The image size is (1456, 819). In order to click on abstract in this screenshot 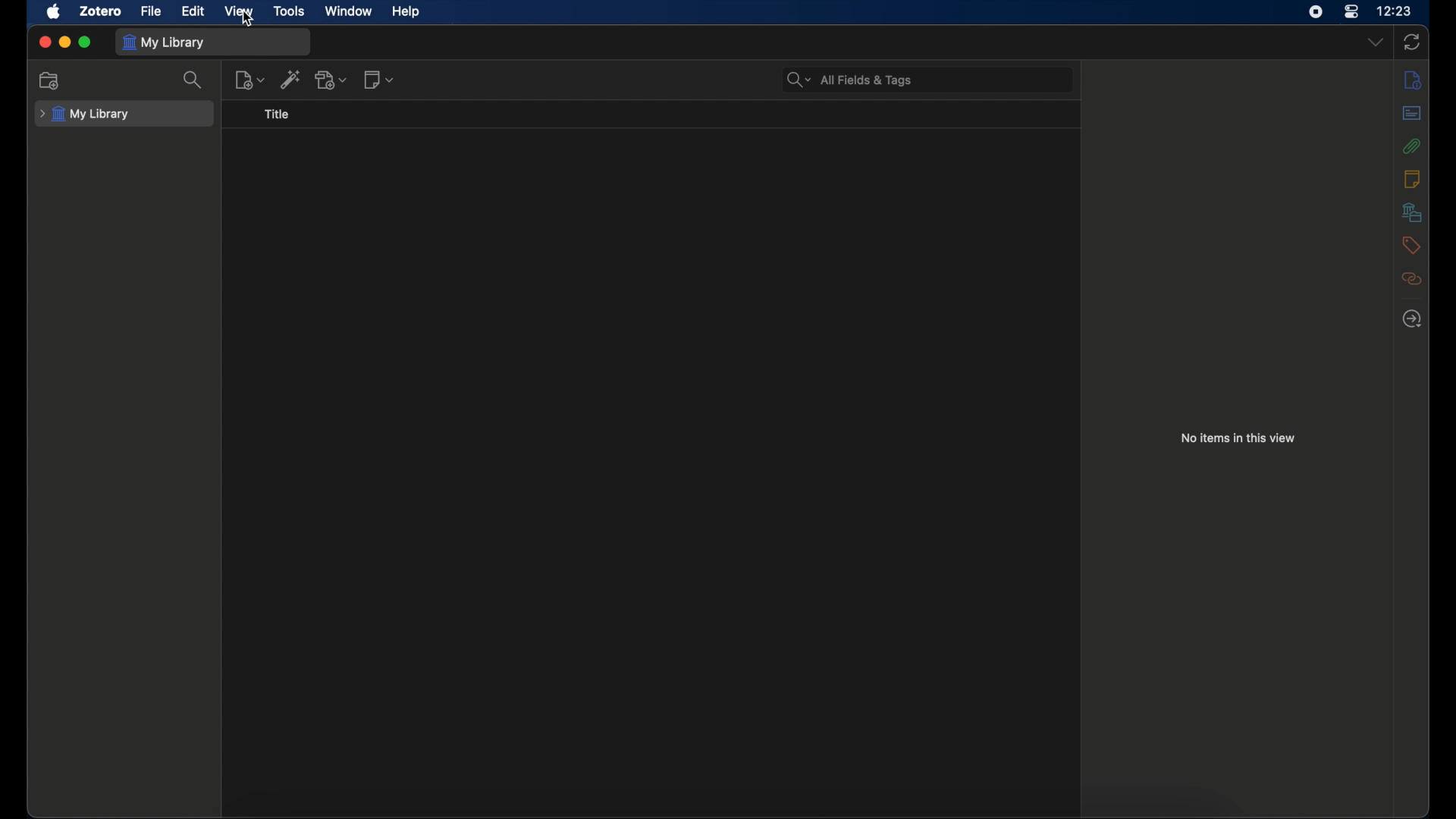, I will do `click(1412, 113)`.